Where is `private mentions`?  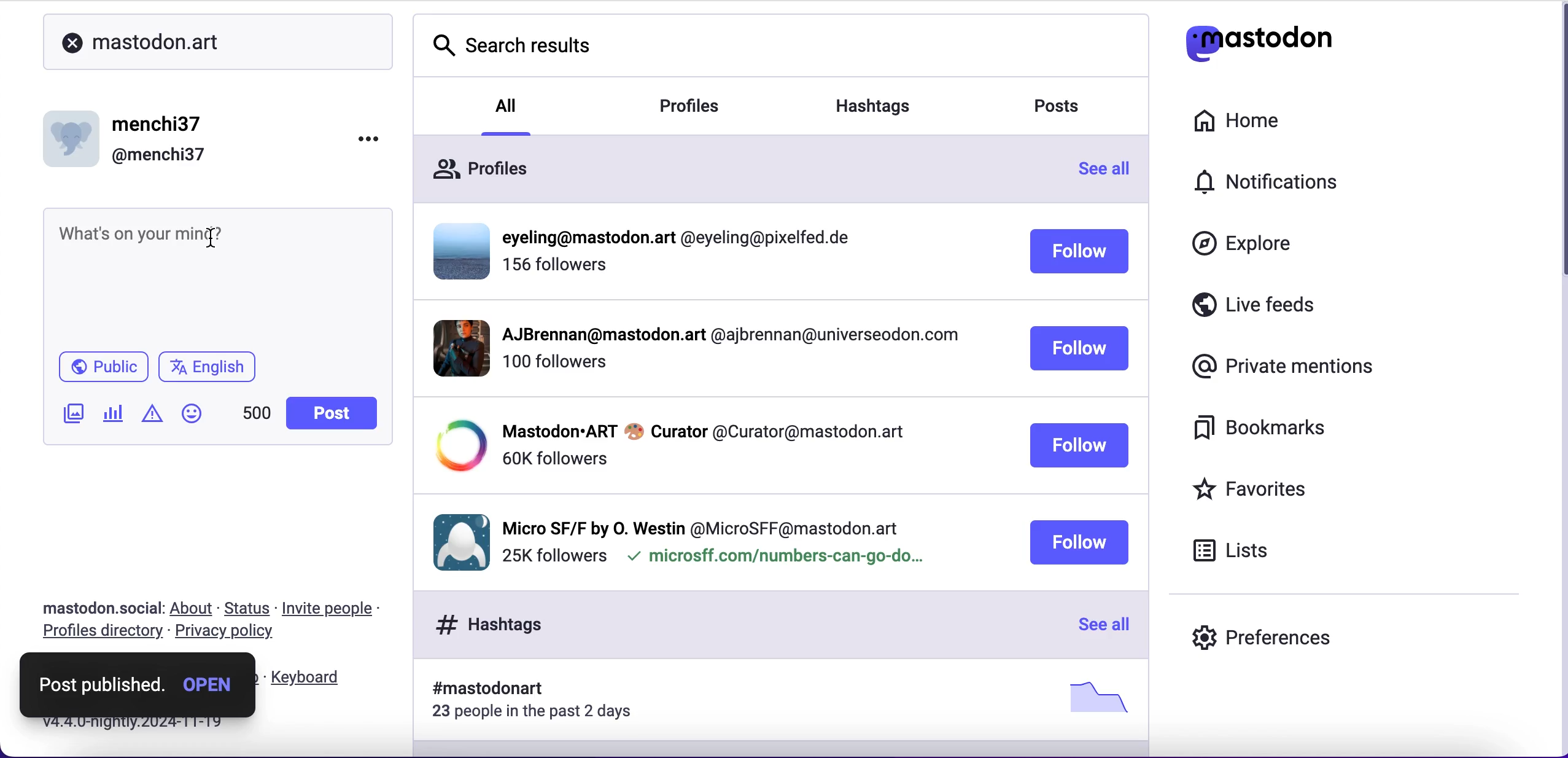 private mentions is located at coordinates (1278, 367).